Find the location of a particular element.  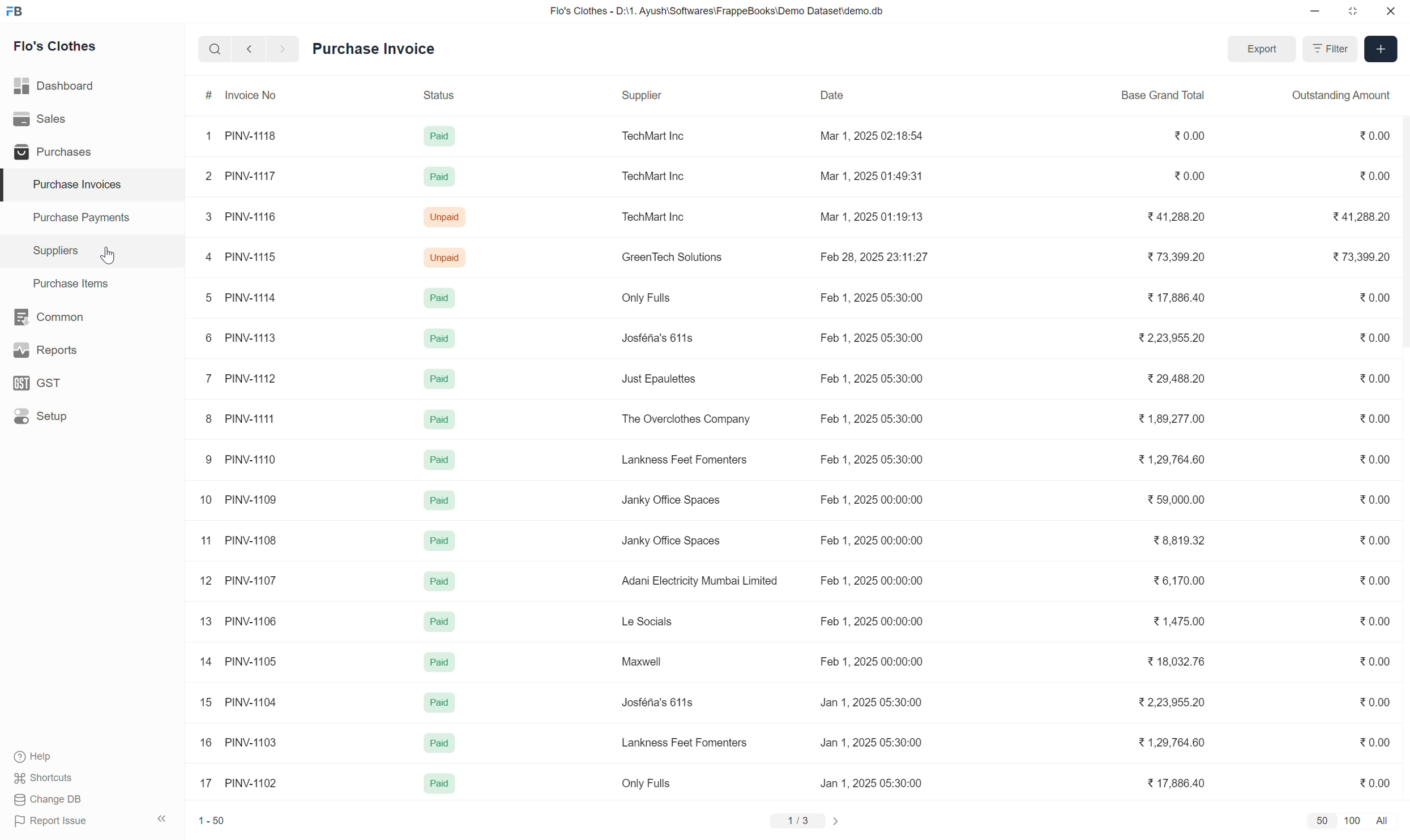

%2,23,955.20 is located at coordinates (1179, 335).